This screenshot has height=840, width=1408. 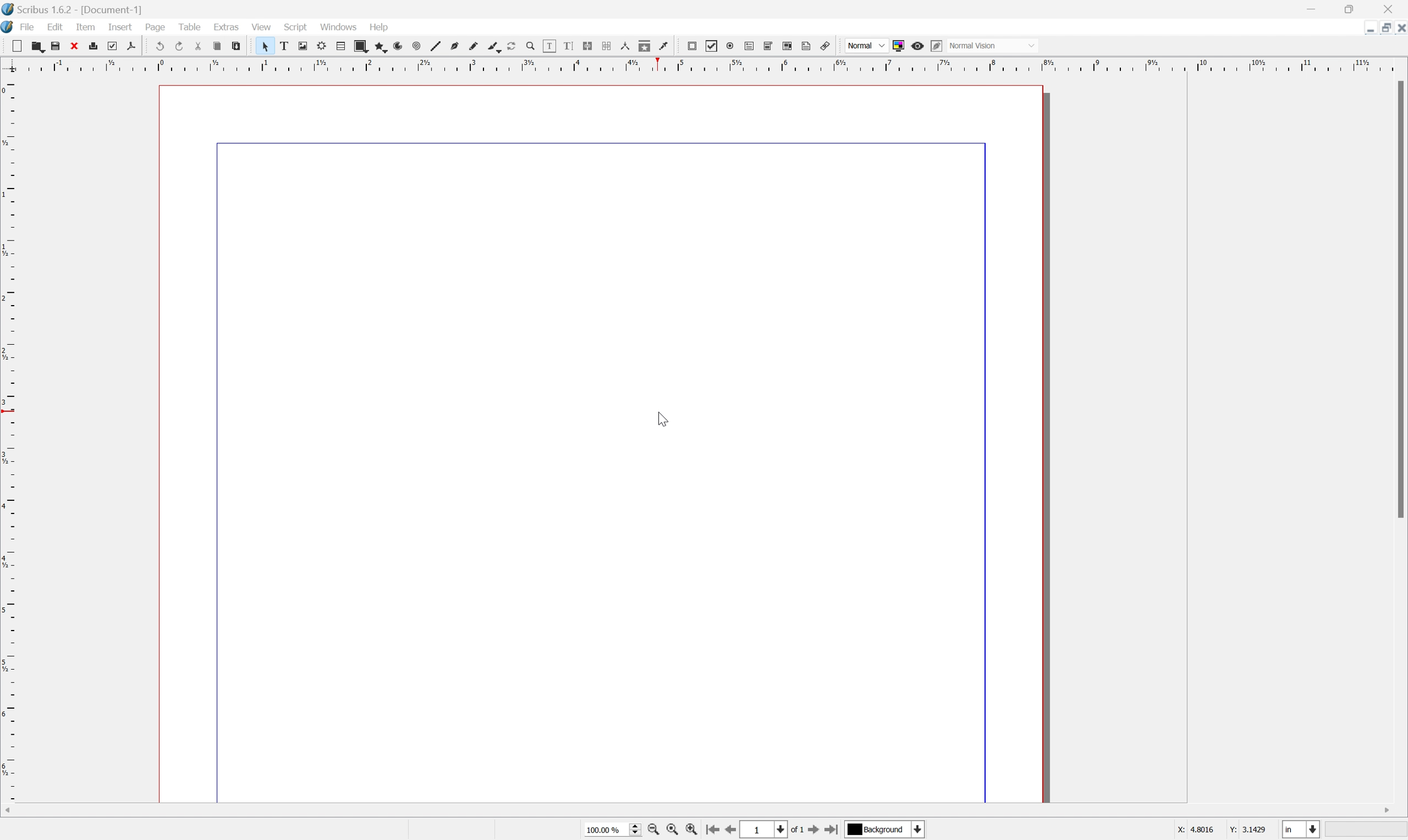 What do you see at coordinates (700, 811) in the screenshot?
I see `scroll bar` at bounding box center [700, 811].